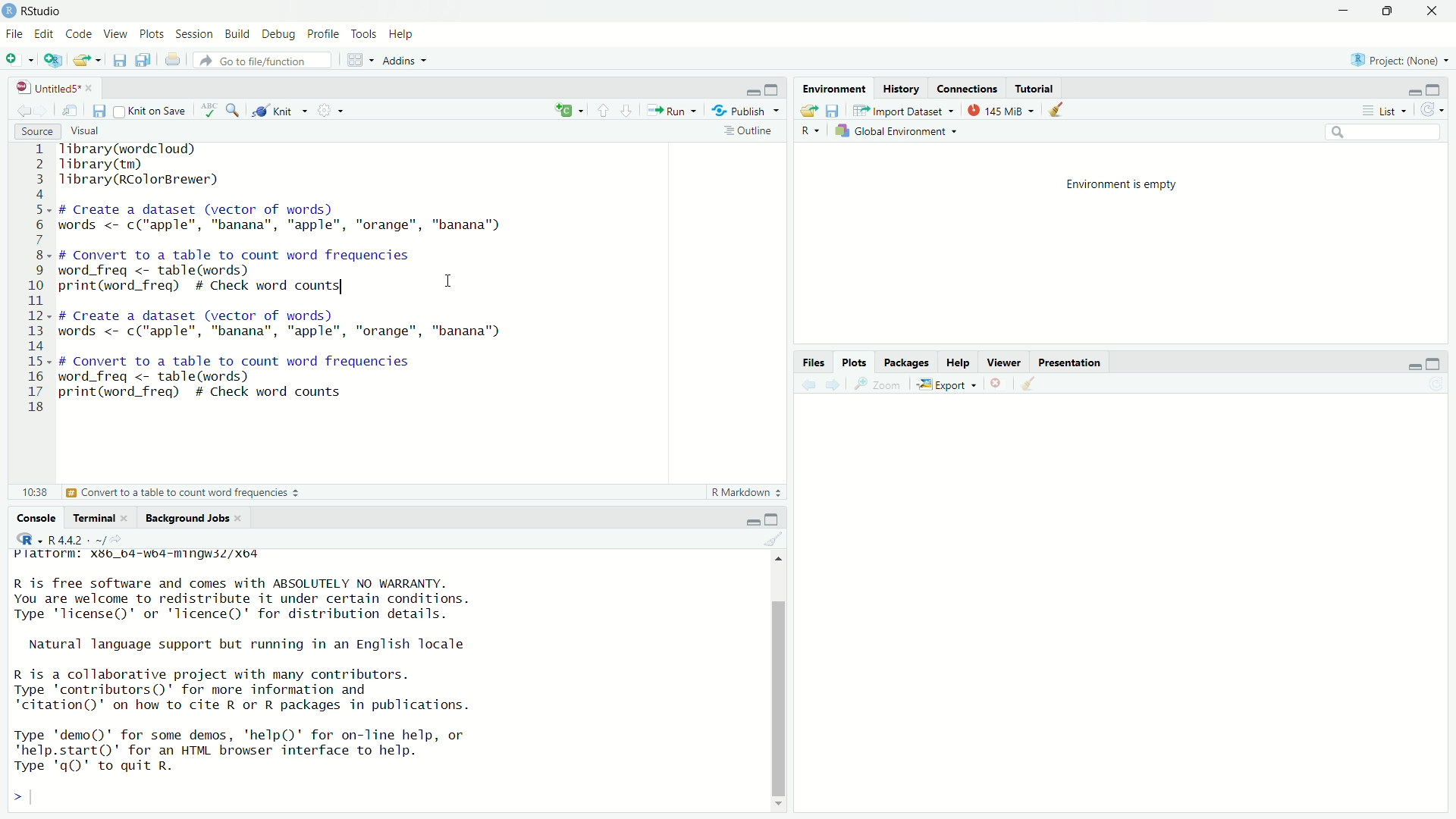 The width and height of the screenshot is (1456, 819). What do you see at coordinates (833, 89) in the screenshot?
I see `Environment` at bounding box center [833, 89].